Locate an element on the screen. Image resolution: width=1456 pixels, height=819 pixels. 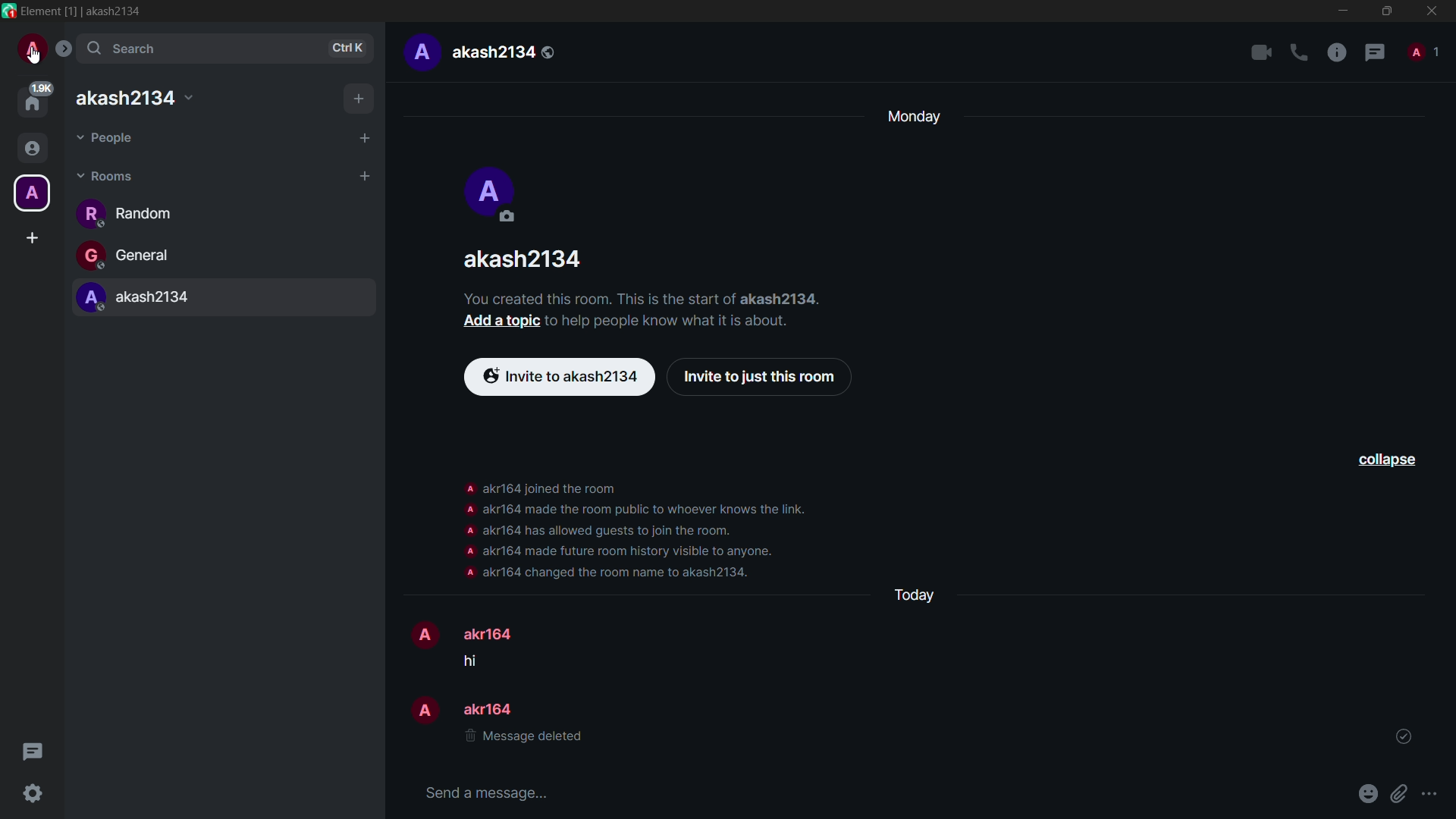
You created this room. This is the start of akash2134. is located at coordinates (657, 297).